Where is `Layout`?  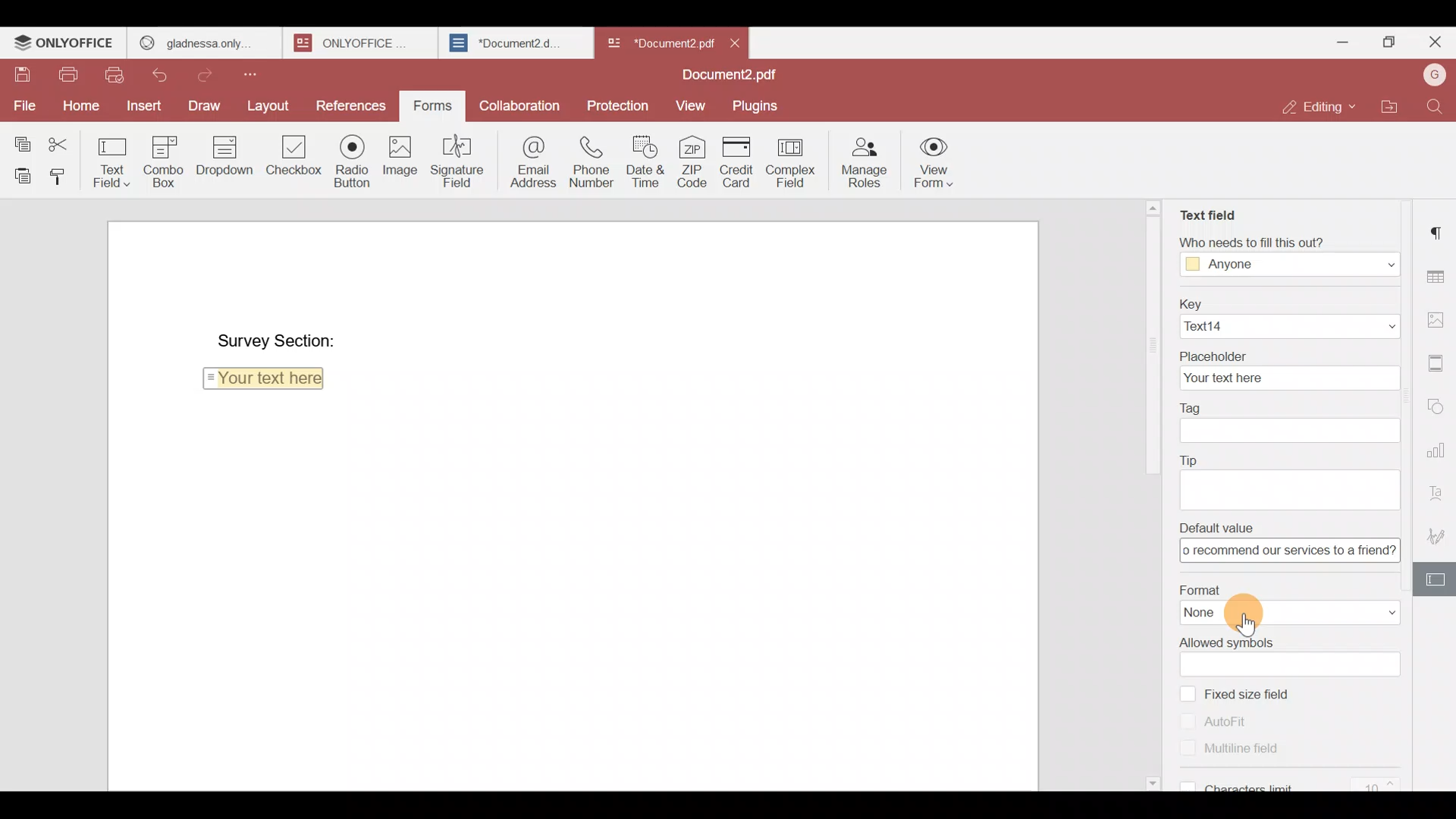 Layout is located at coordinates (269, 102).